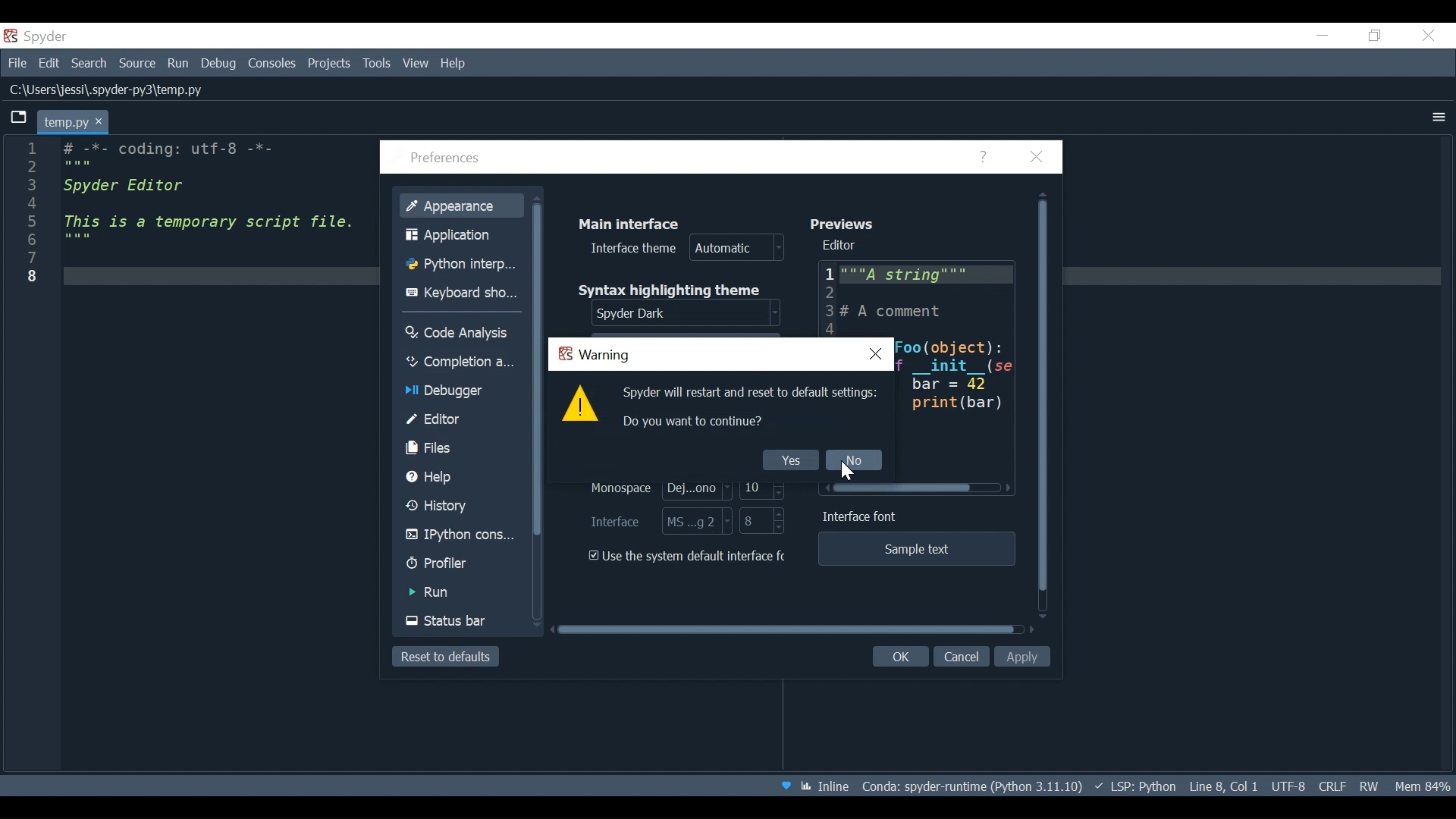 This screenshot has width=1456, height=819. I want to click on Close, so click(877, 353).